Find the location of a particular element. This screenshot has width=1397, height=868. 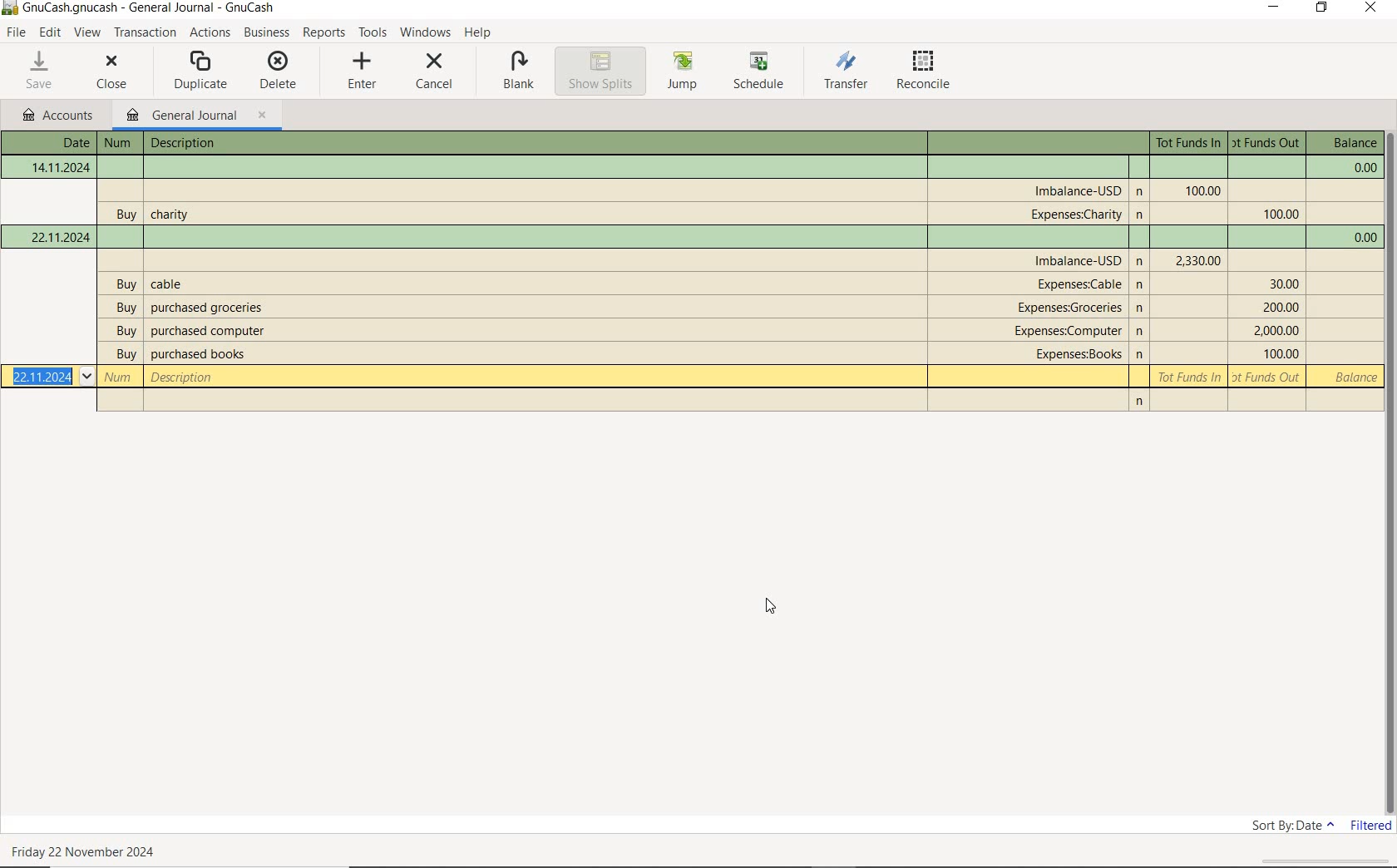

Tot Funds Out is located at coordinates (1281, 308).